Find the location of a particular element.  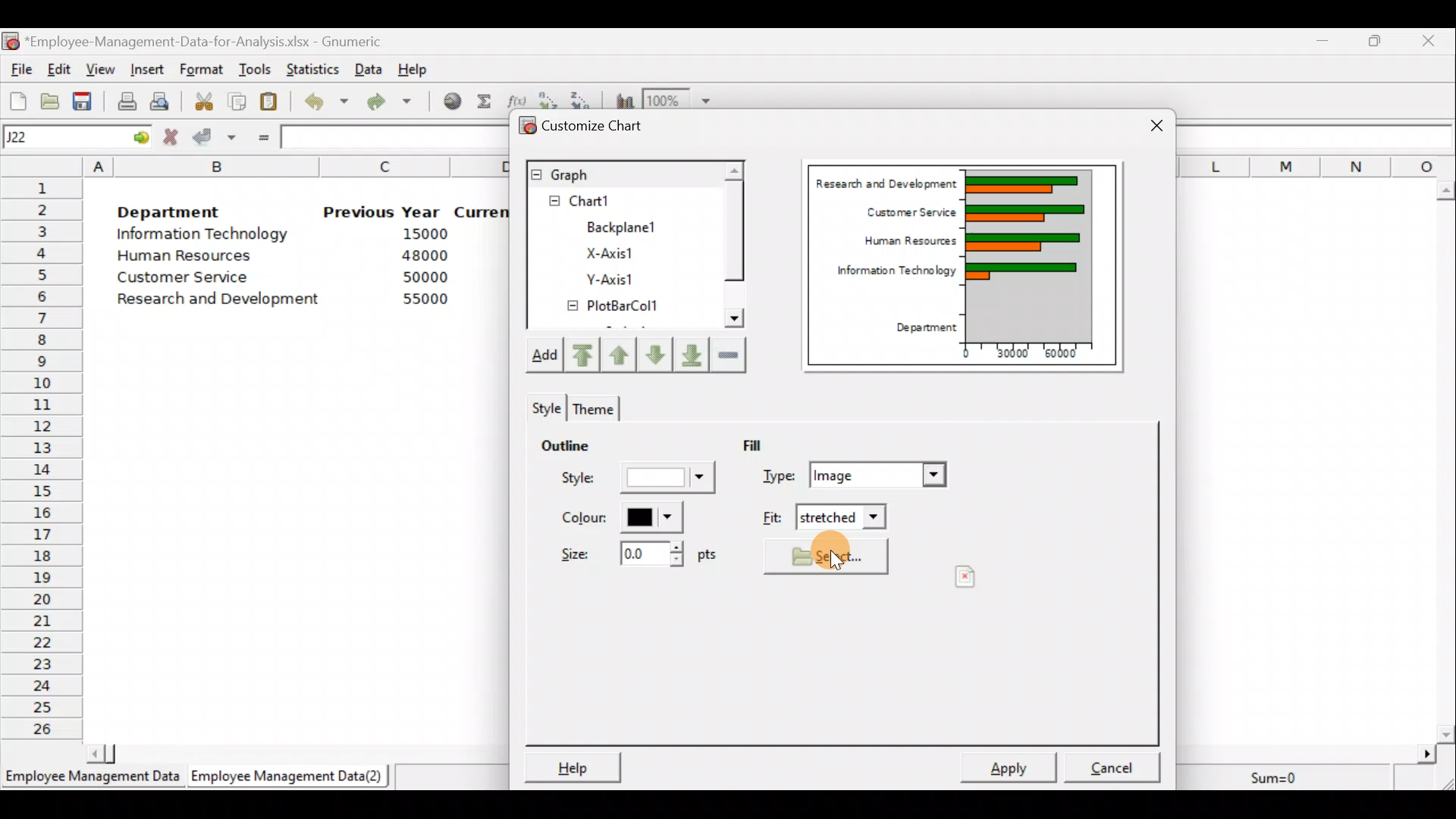

Enter formula is located at coordinates (261, 138).